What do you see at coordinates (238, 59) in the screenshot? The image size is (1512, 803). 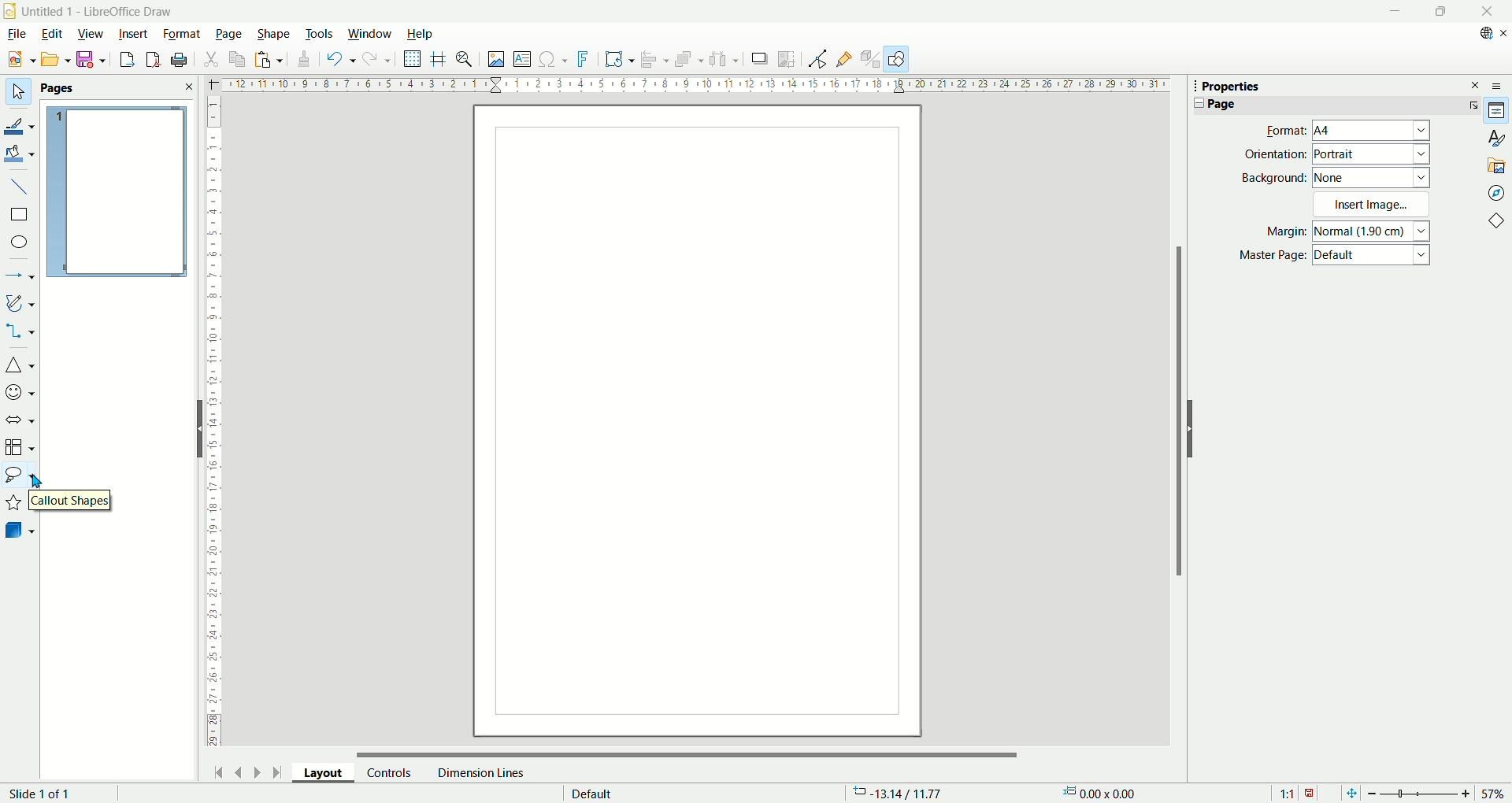 I see `copy` at bounding box center [238, 59].